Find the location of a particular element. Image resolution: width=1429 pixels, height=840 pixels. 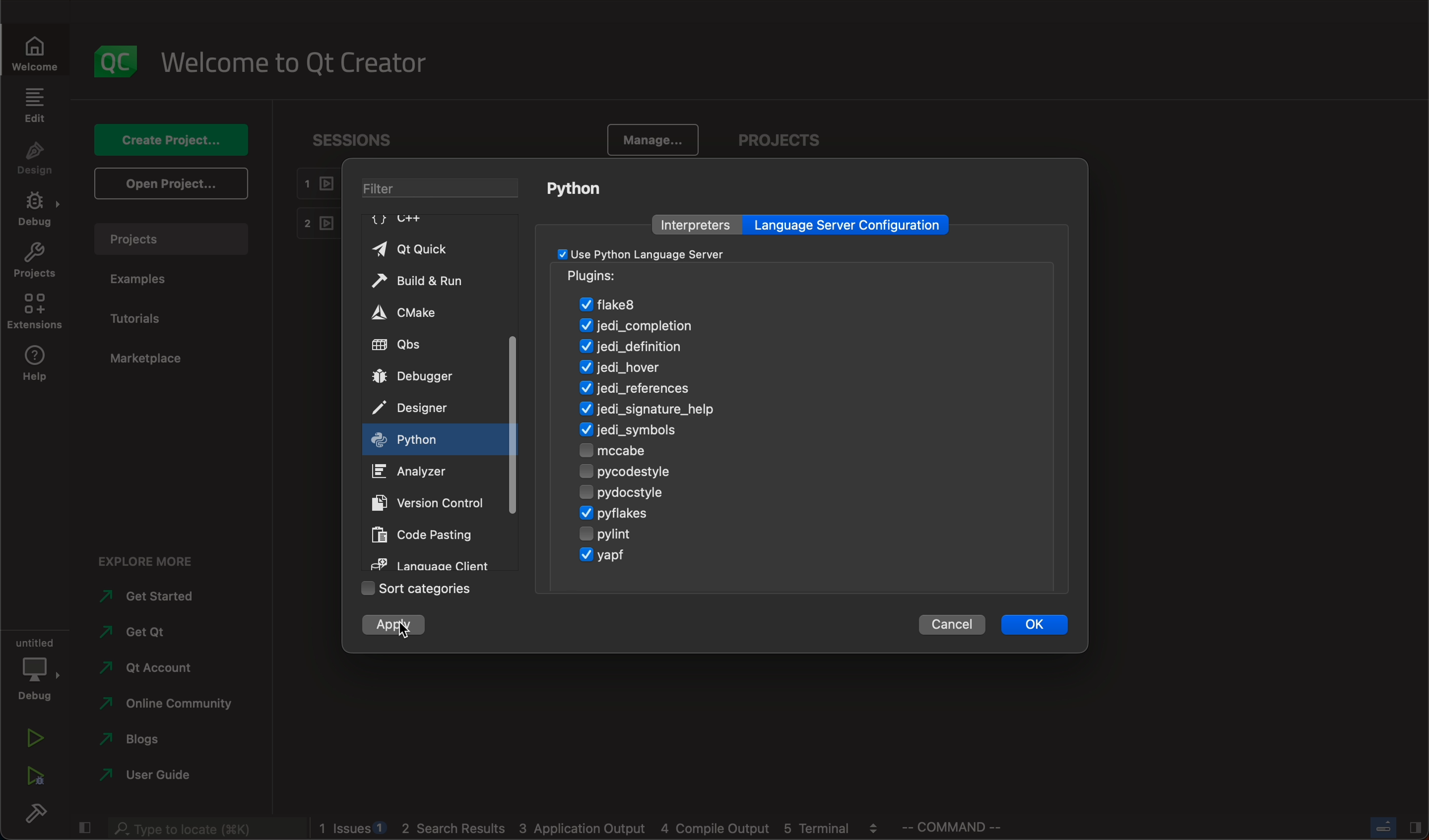

qbs is located at coordinates (423, 345).